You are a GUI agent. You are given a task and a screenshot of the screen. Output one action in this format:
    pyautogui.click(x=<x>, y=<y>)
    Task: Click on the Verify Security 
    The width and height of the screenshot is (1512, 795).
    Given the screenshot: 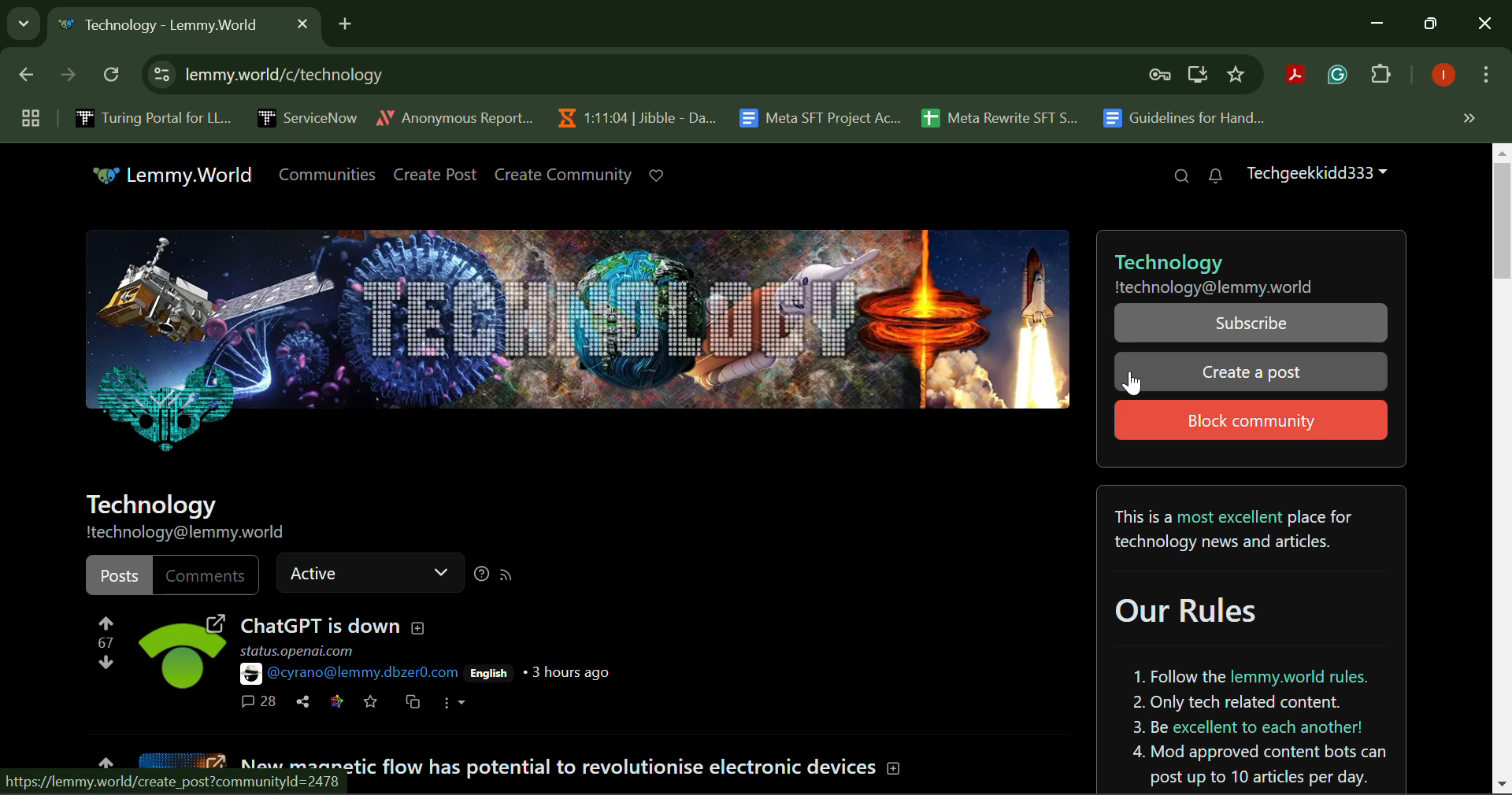 What is the action you would take?
    pyautogui.click(x=1162, y=75)
    